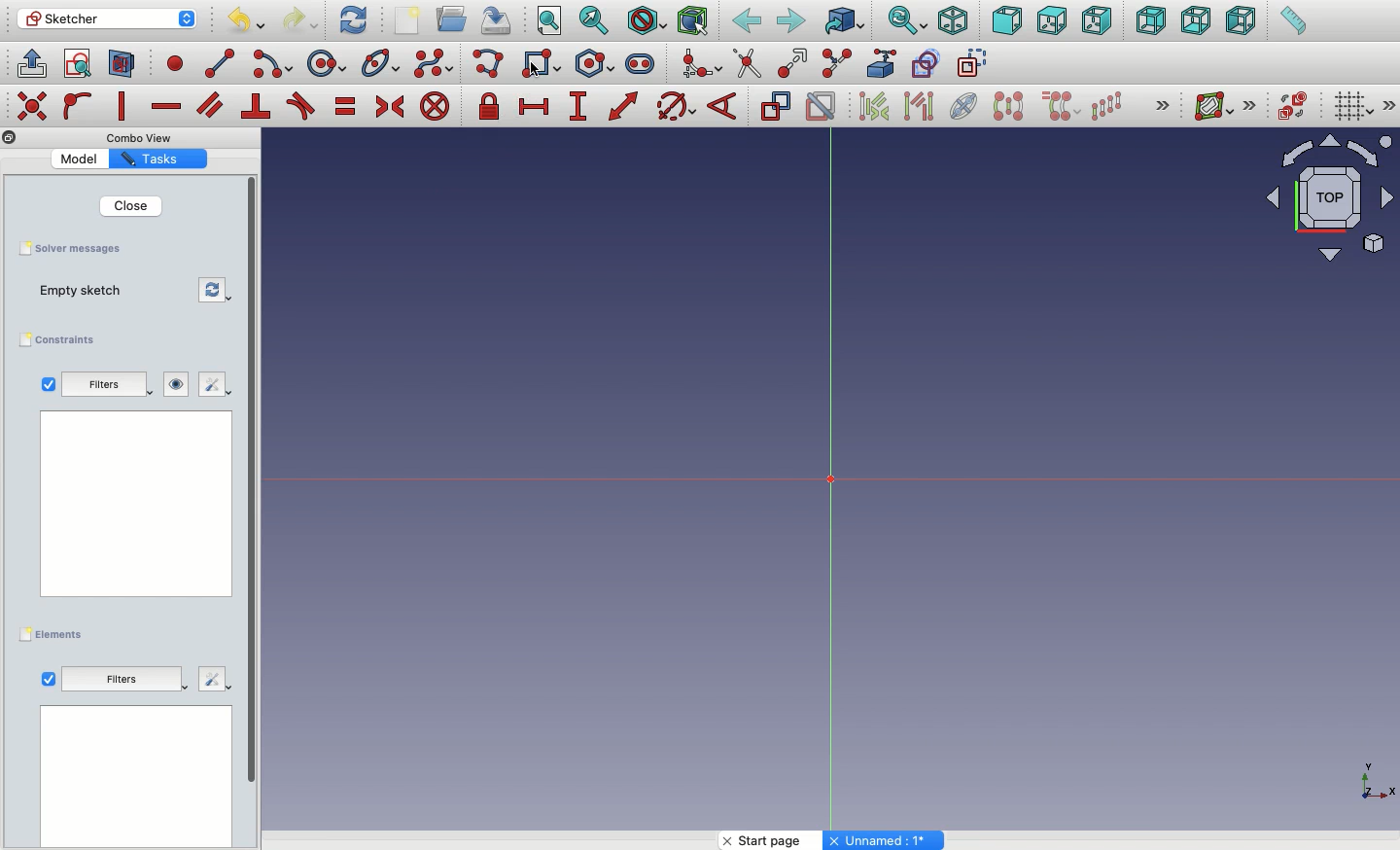  What do you see at coordinates (1007, 106) in the screenshot?
I see `Symmetry` at bounding box center [1007, 106].